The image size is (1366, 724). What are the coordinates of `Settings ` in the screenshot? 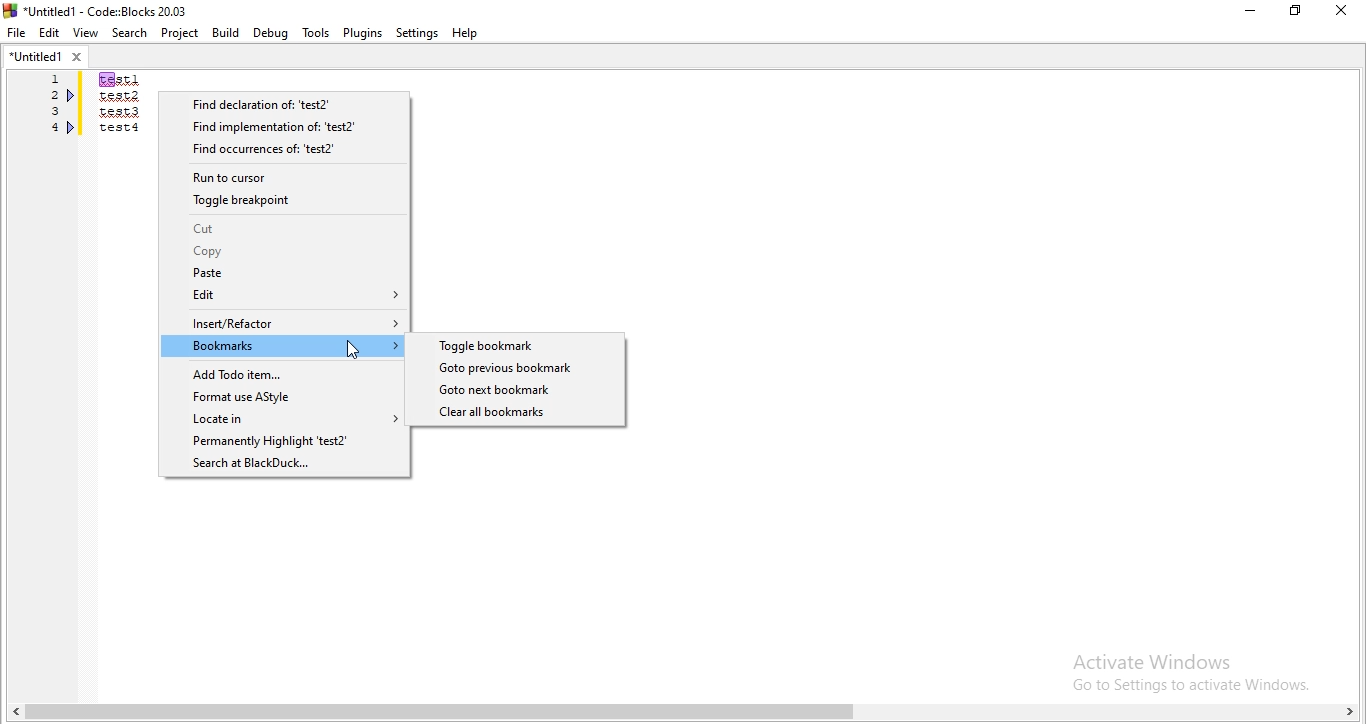 It's located at (417, 34).